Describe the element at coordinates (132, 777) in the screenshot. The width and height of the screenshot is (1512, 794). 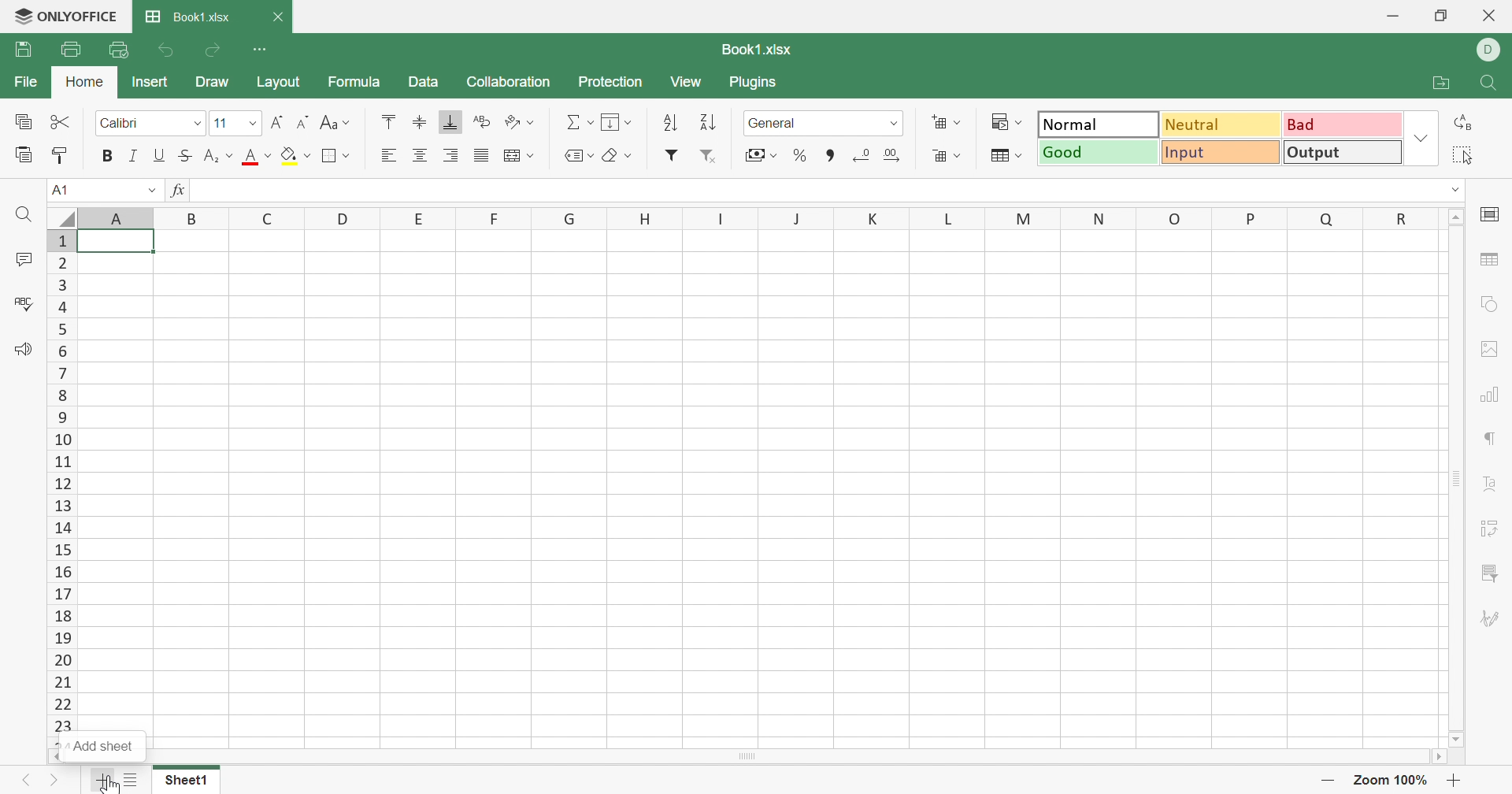
I see `List of Sheets` at that location.